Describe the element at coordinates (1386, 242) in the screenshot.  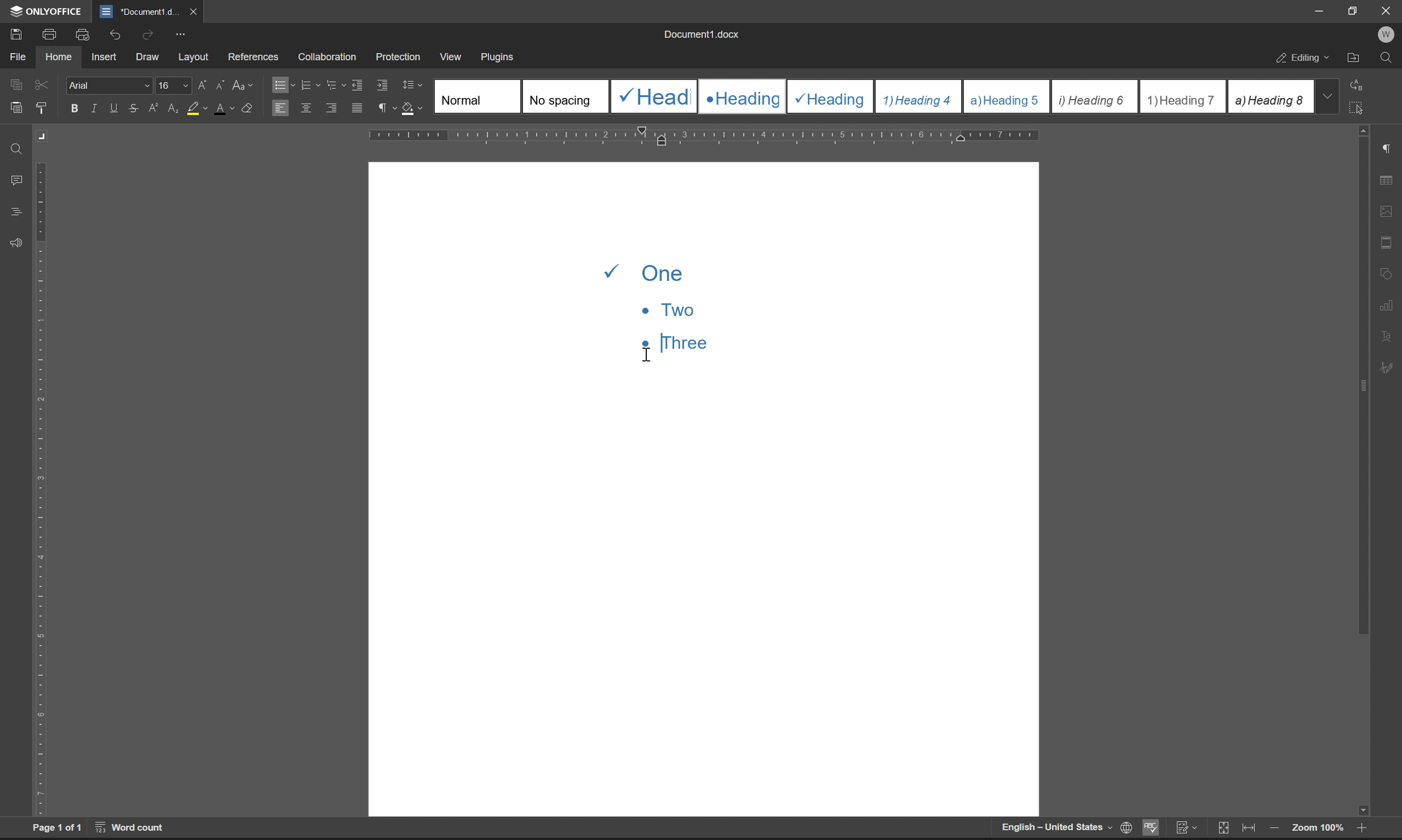
I see `header & footer settings` at that location.